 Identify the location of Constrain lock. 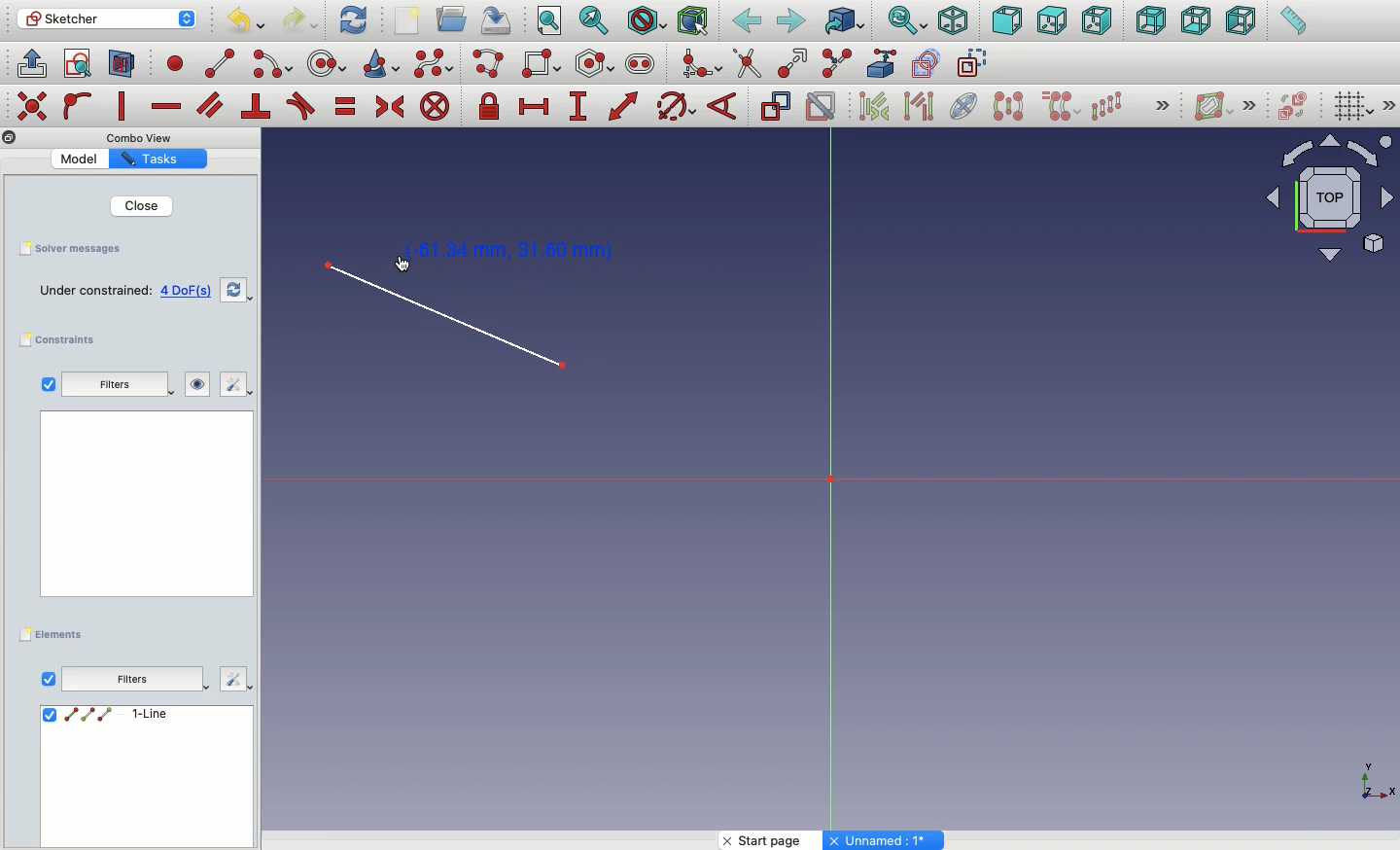
(492, 106).